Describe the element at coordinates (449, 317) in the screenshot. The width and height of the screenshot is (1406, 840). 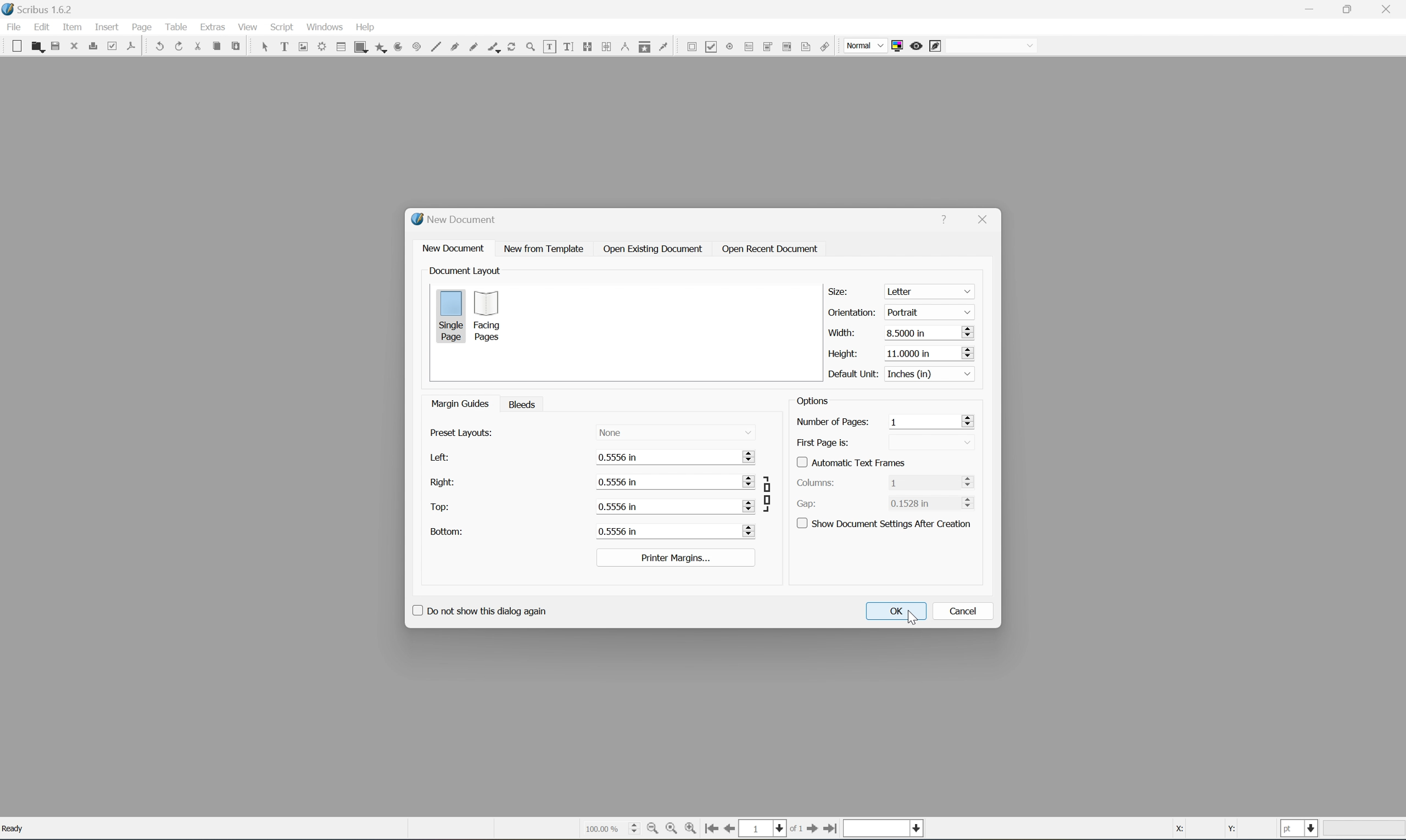
I see `single page` at that location.